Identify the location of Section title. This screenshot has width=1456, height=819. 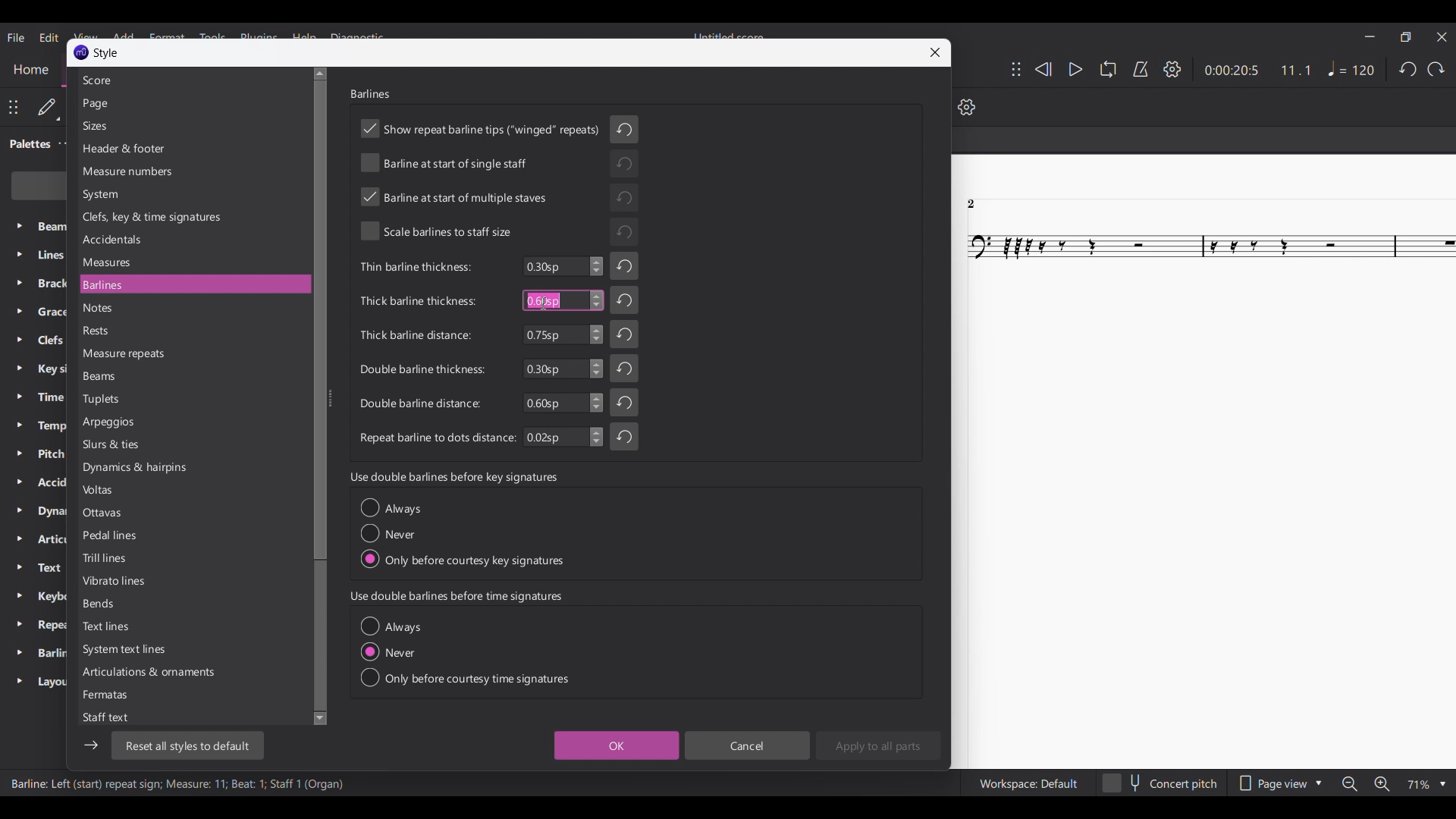
(370, 93).